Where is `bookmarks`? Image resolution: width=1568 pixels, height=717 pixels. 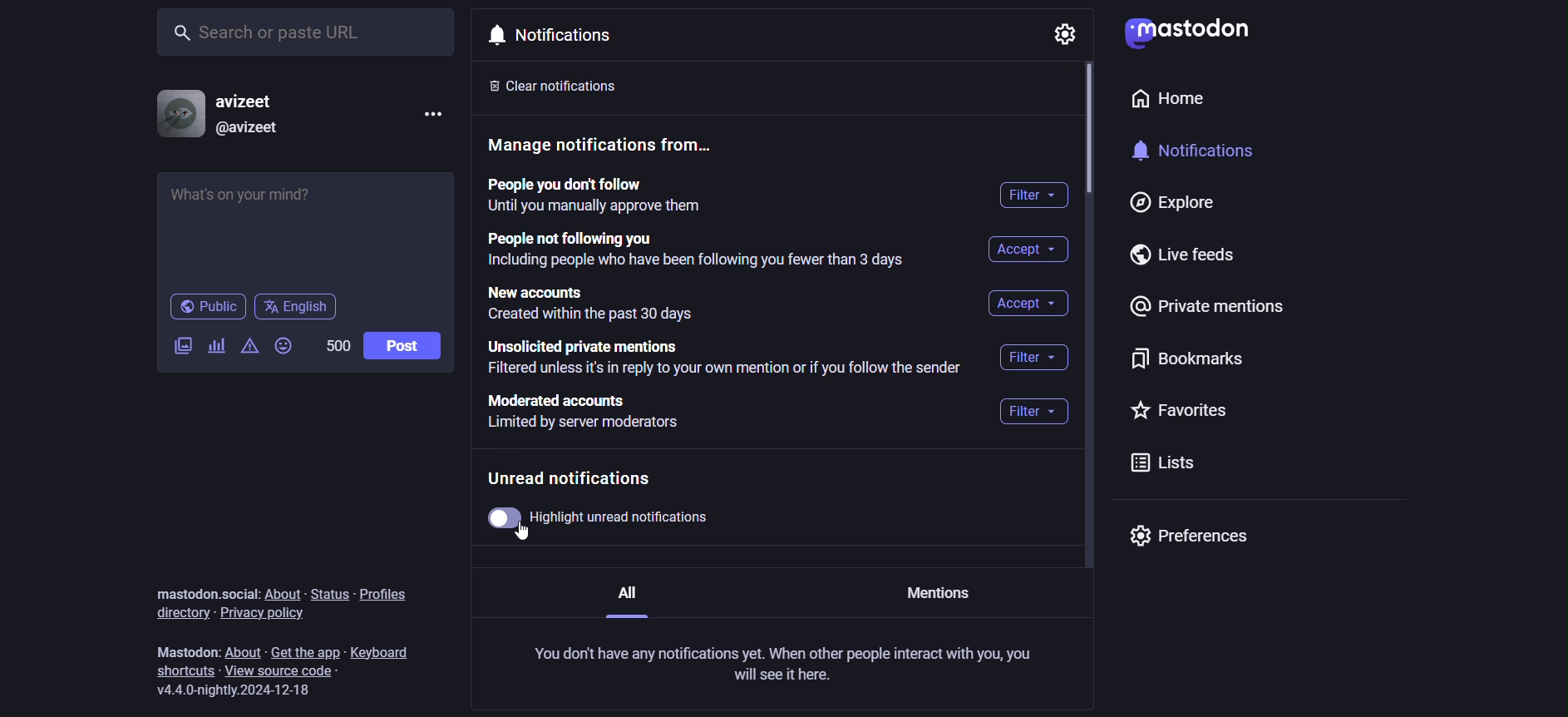
bookmarks is located at coordinates (1183, 365).